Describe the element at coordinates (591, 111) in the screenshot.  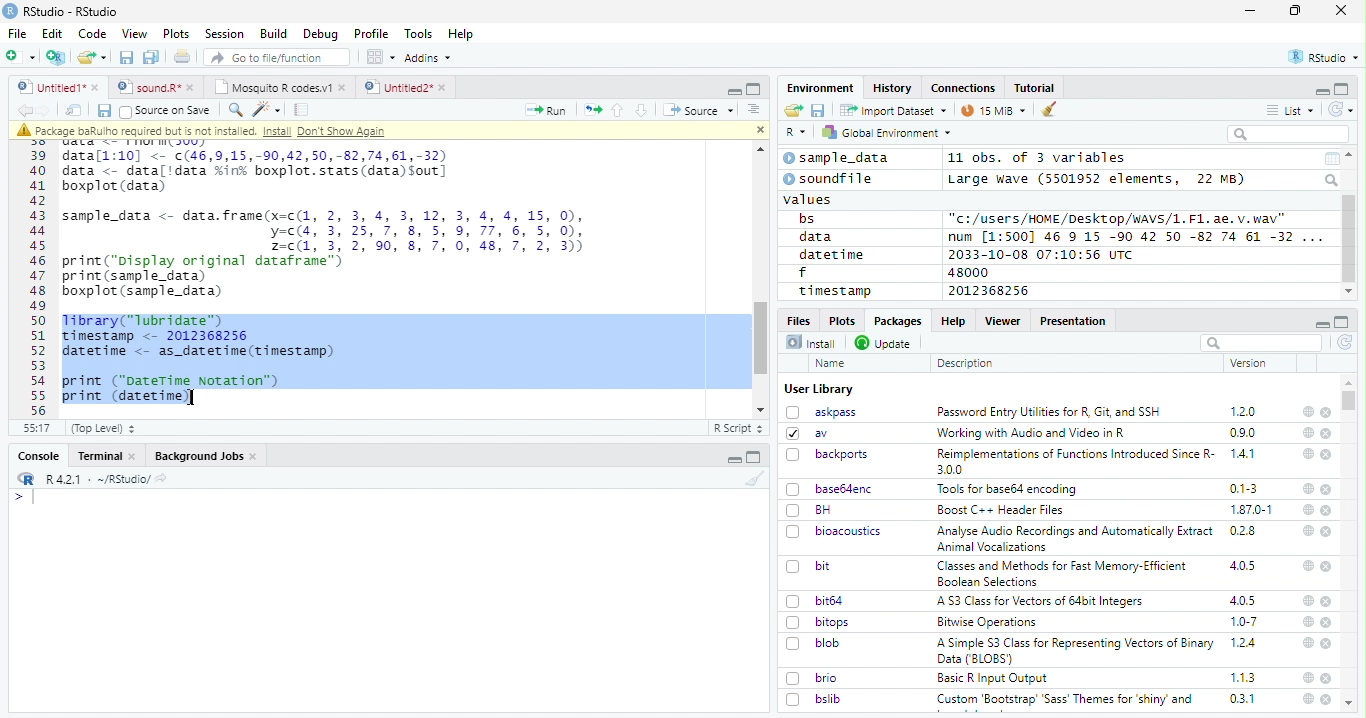
I see `Re-run the previous code region` at that location.